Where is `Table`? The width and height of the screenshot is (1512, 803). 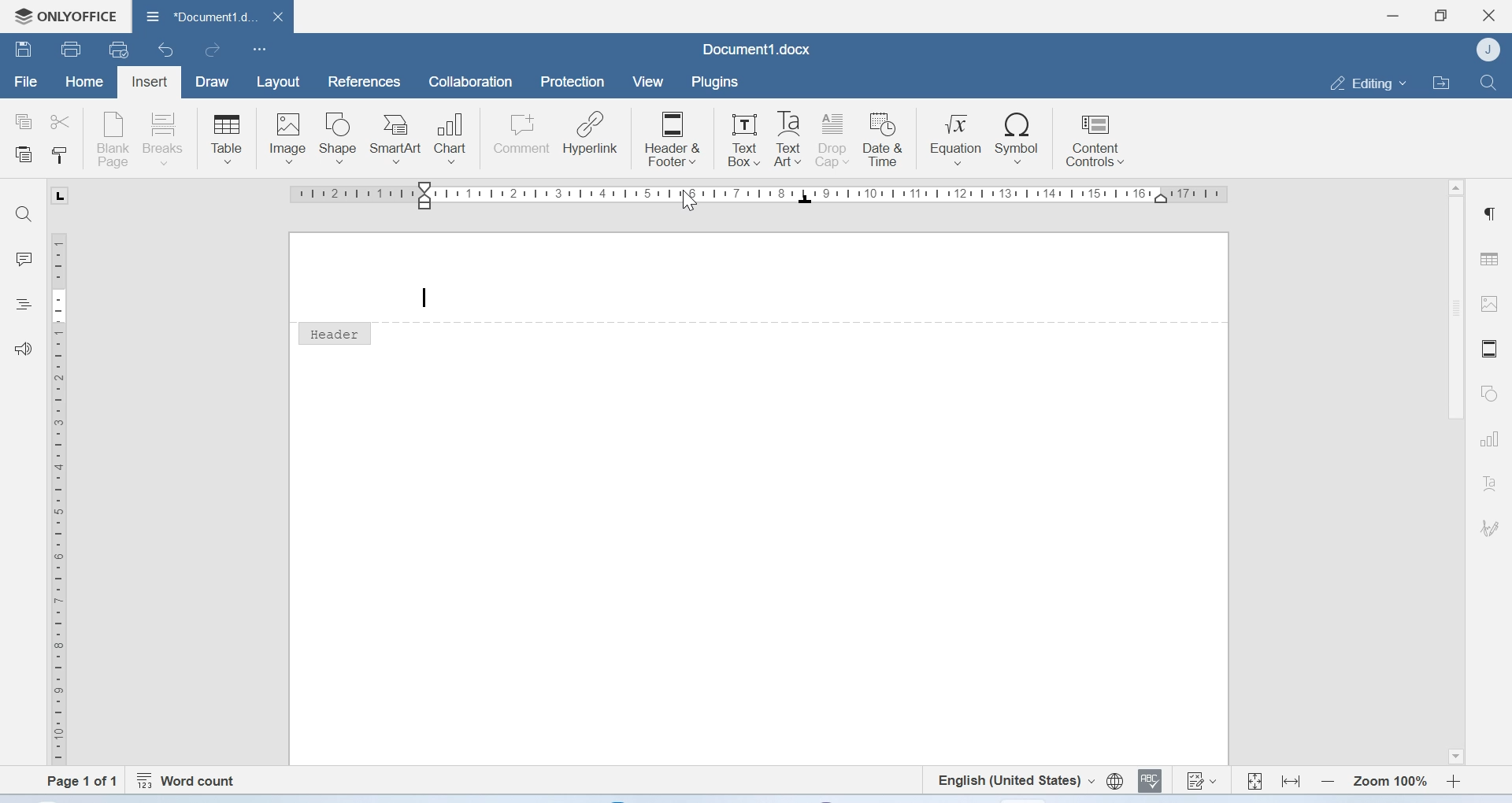 Table is located at coordinates (226, 138).